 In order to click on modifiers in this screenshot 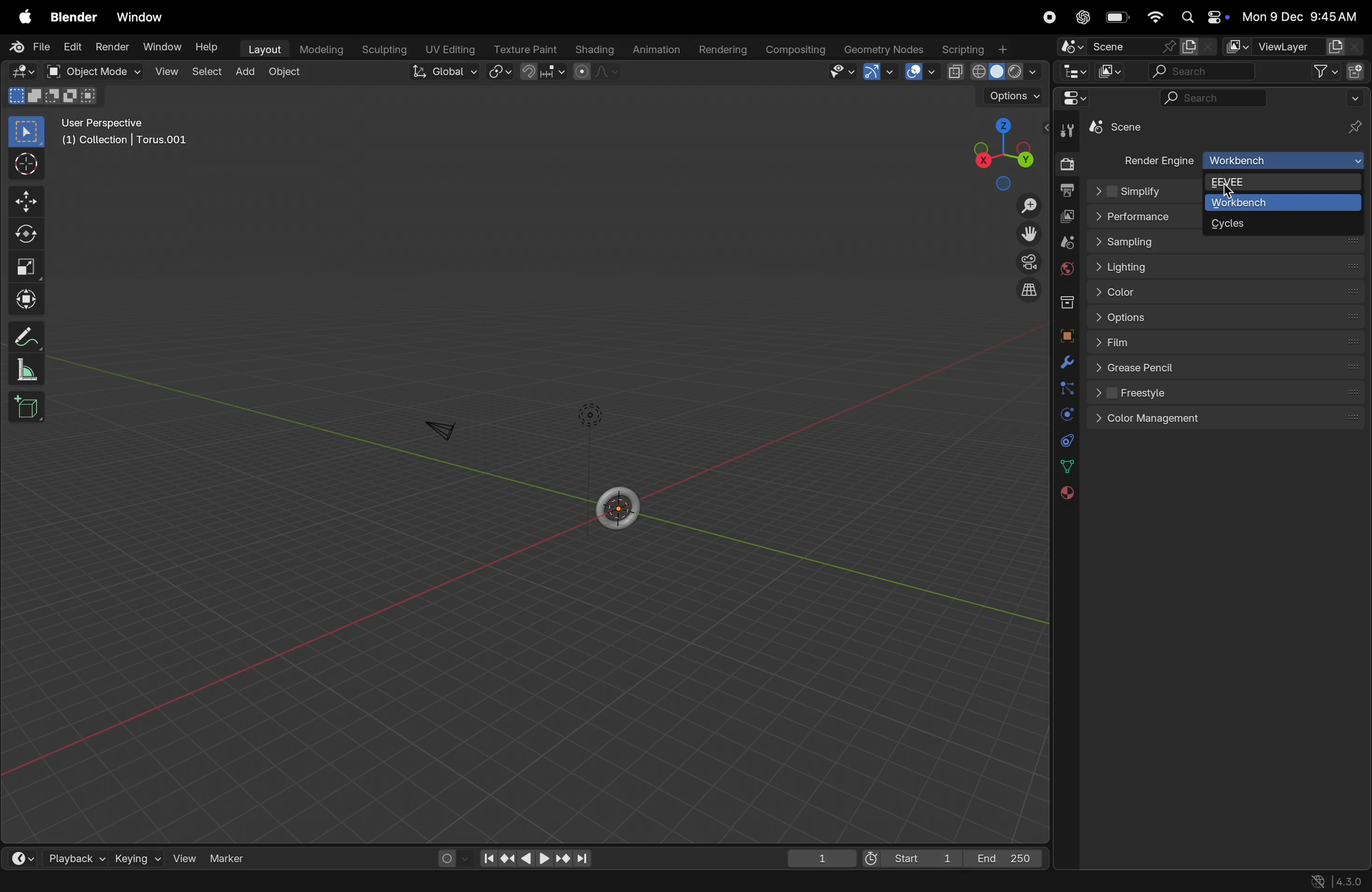, I will do `click(1065, 363)`.